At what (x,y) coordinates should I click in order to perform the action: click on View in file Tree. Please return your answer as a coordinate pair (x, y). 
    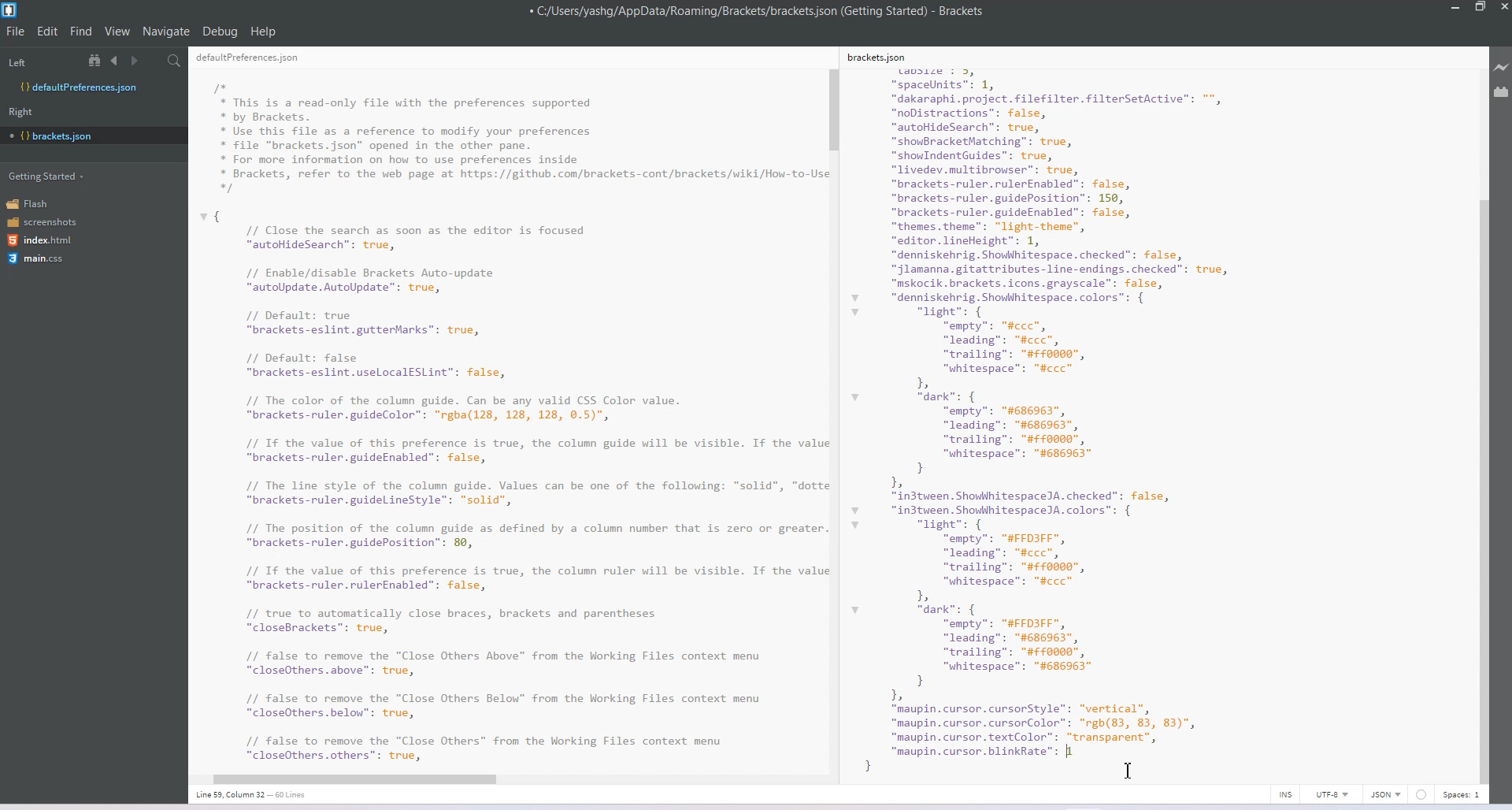
    Looking at the image, I should click on (97, 60).